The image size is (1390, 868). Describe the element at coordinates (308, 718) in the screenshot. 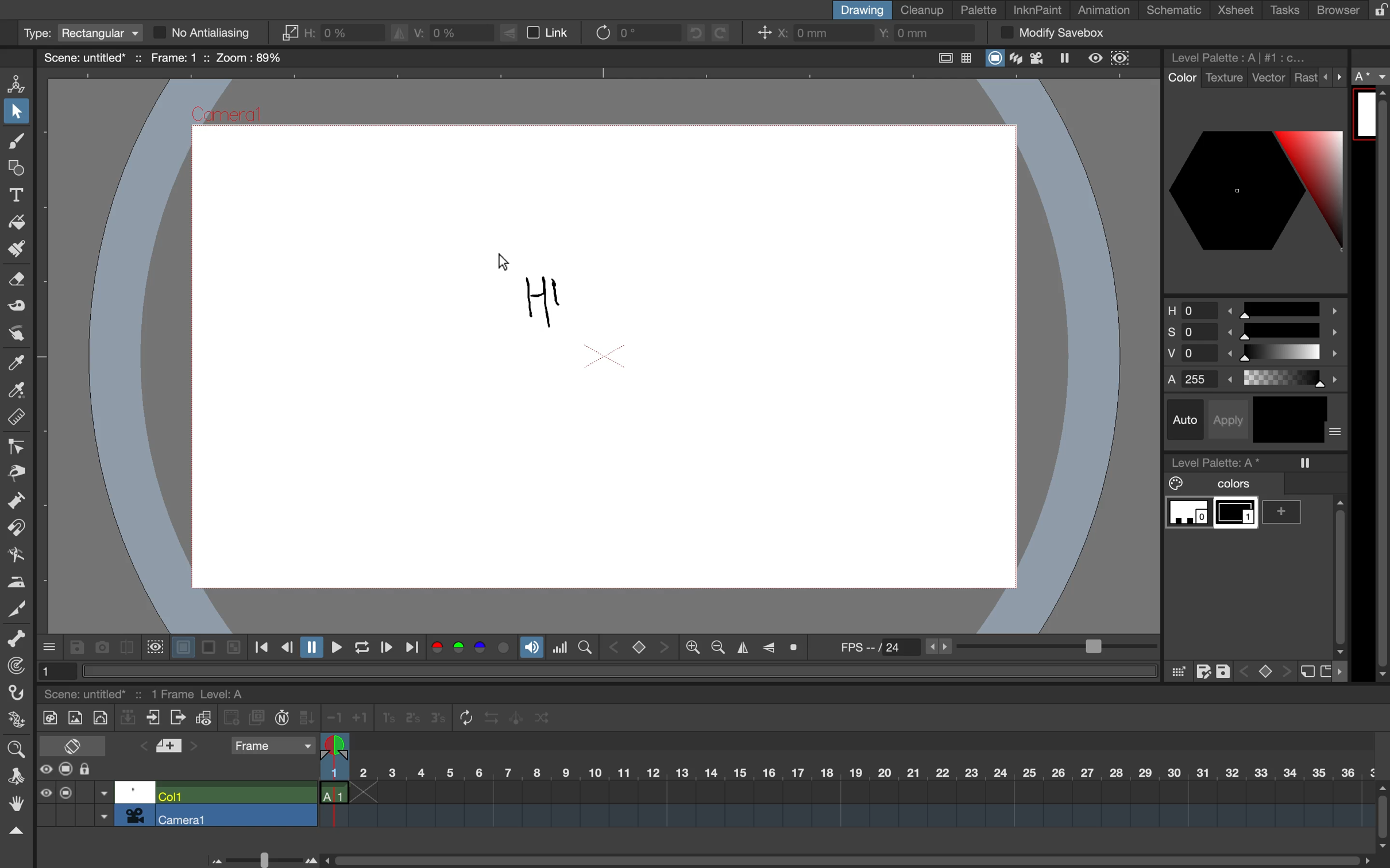

I see `fill in empty cells` at that location.